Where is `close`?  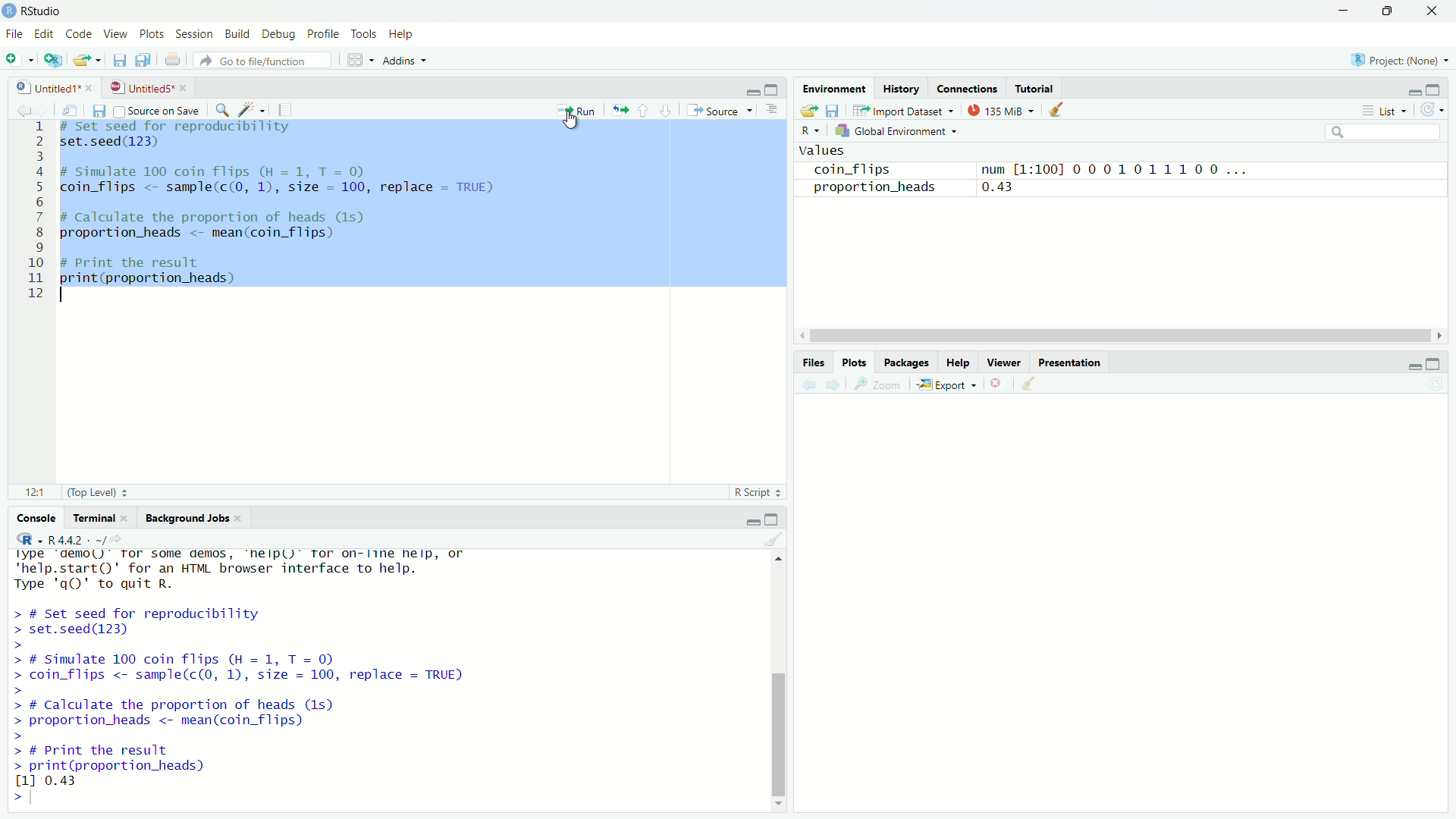
close is located at coordinates (128, 517).